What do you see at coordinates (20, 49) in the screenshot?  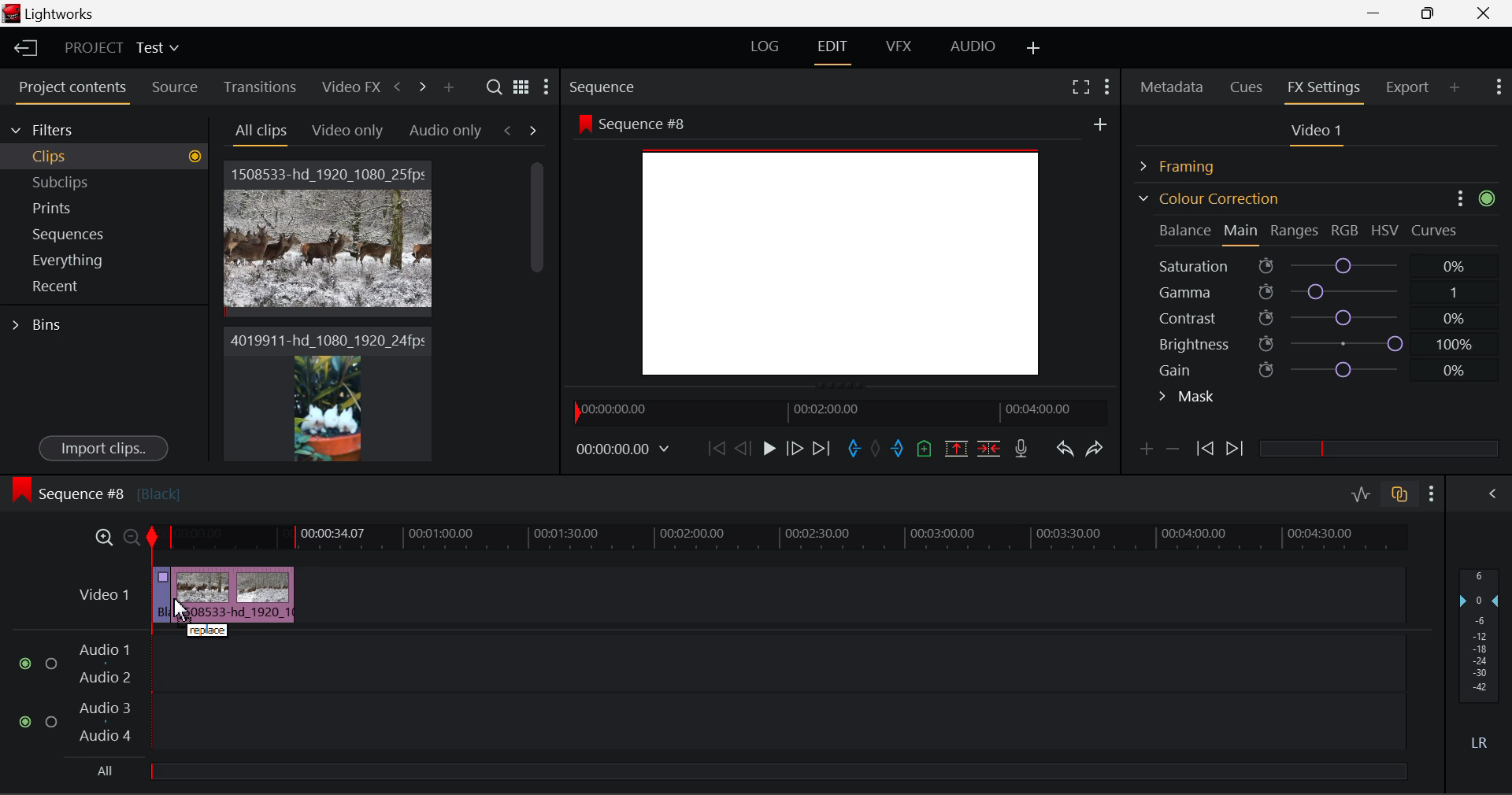 I see `Back to Homepage` at bounding box center [20, 49].